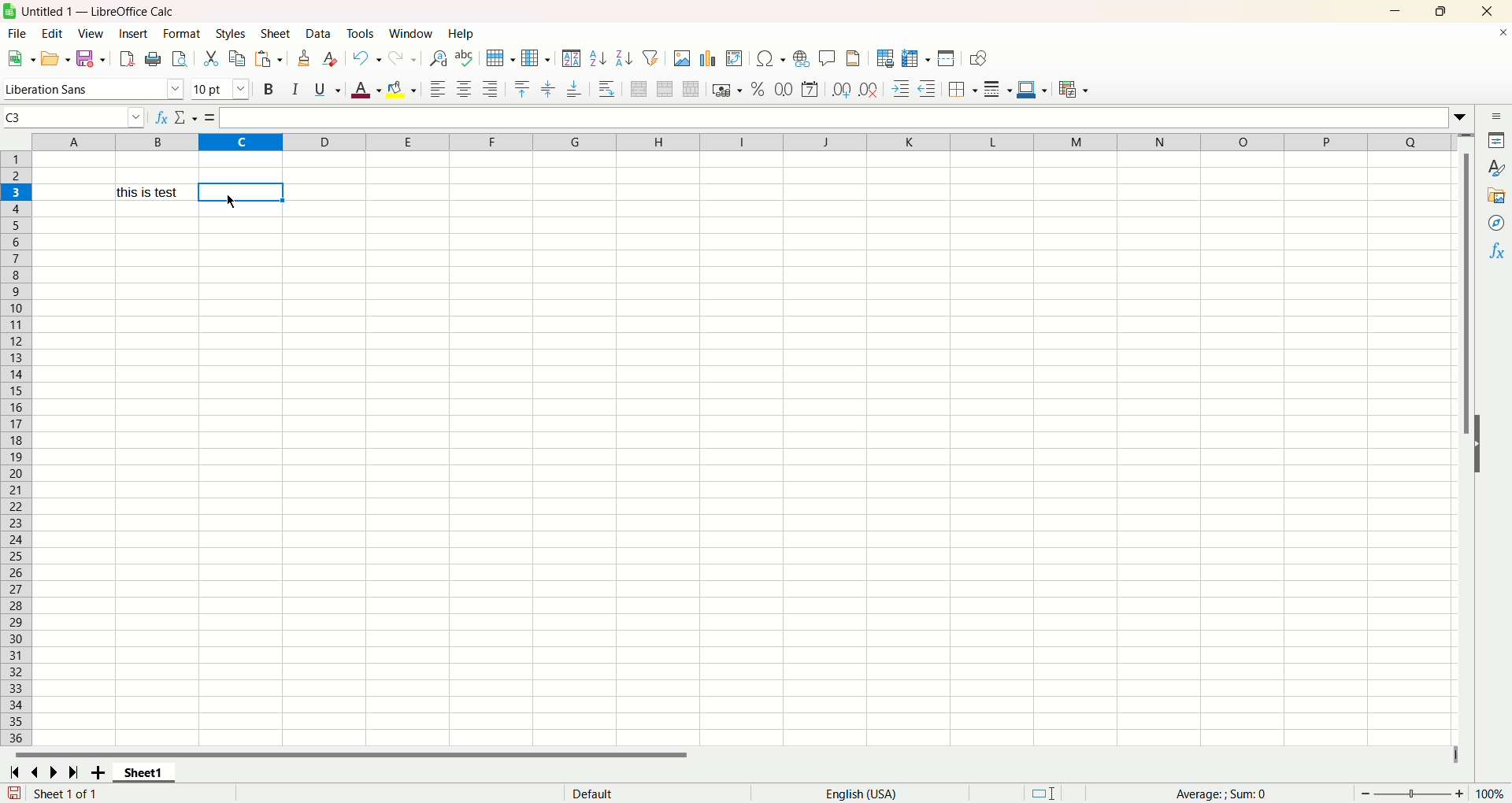 The width and height of the screenshot is (1512, 803). I want to click on export as pdf, so click(126, 59).